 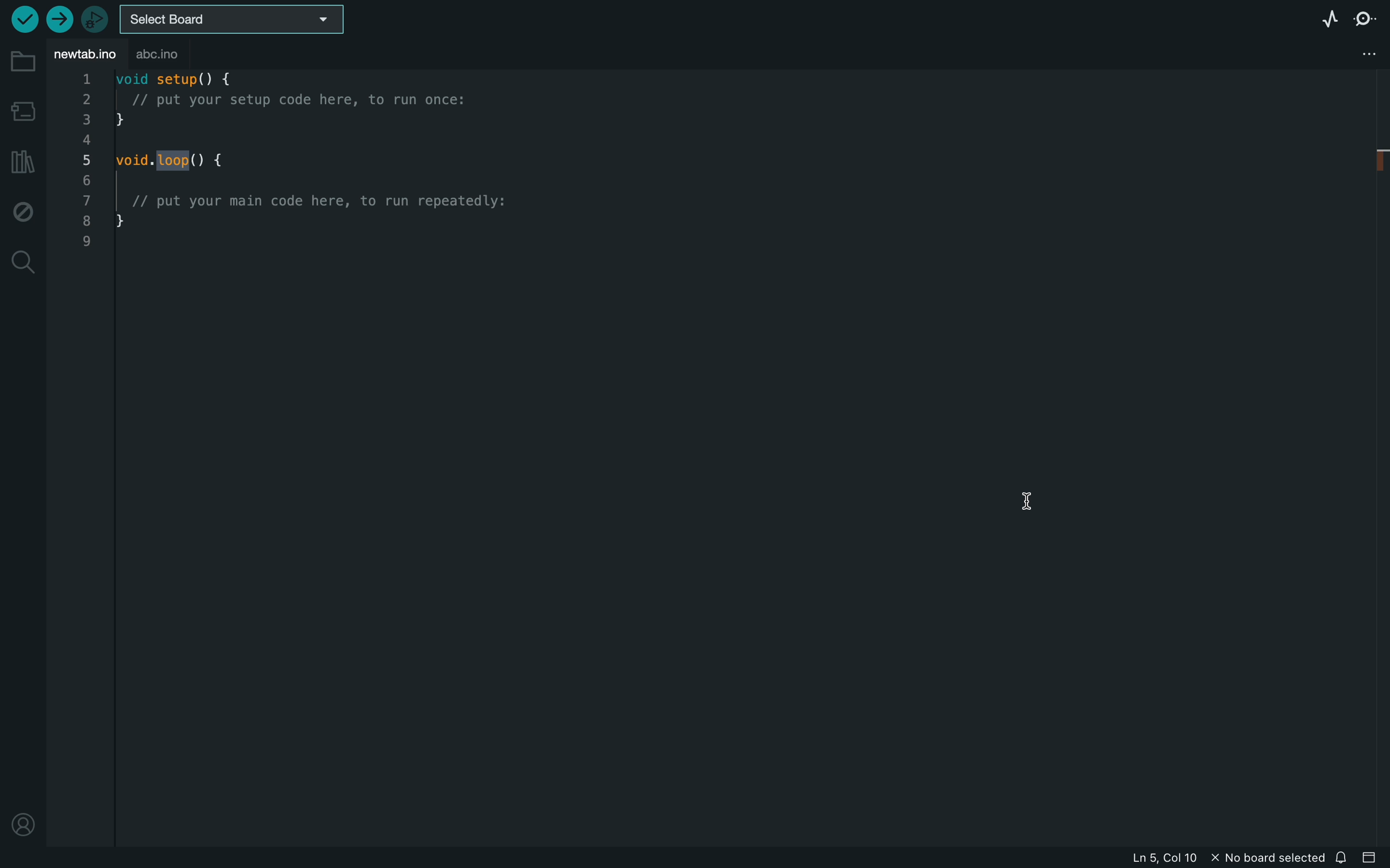 What do you see at coordinates (59, 21) in the screenshot?
I see `upload` at bounding box center [59, 21].